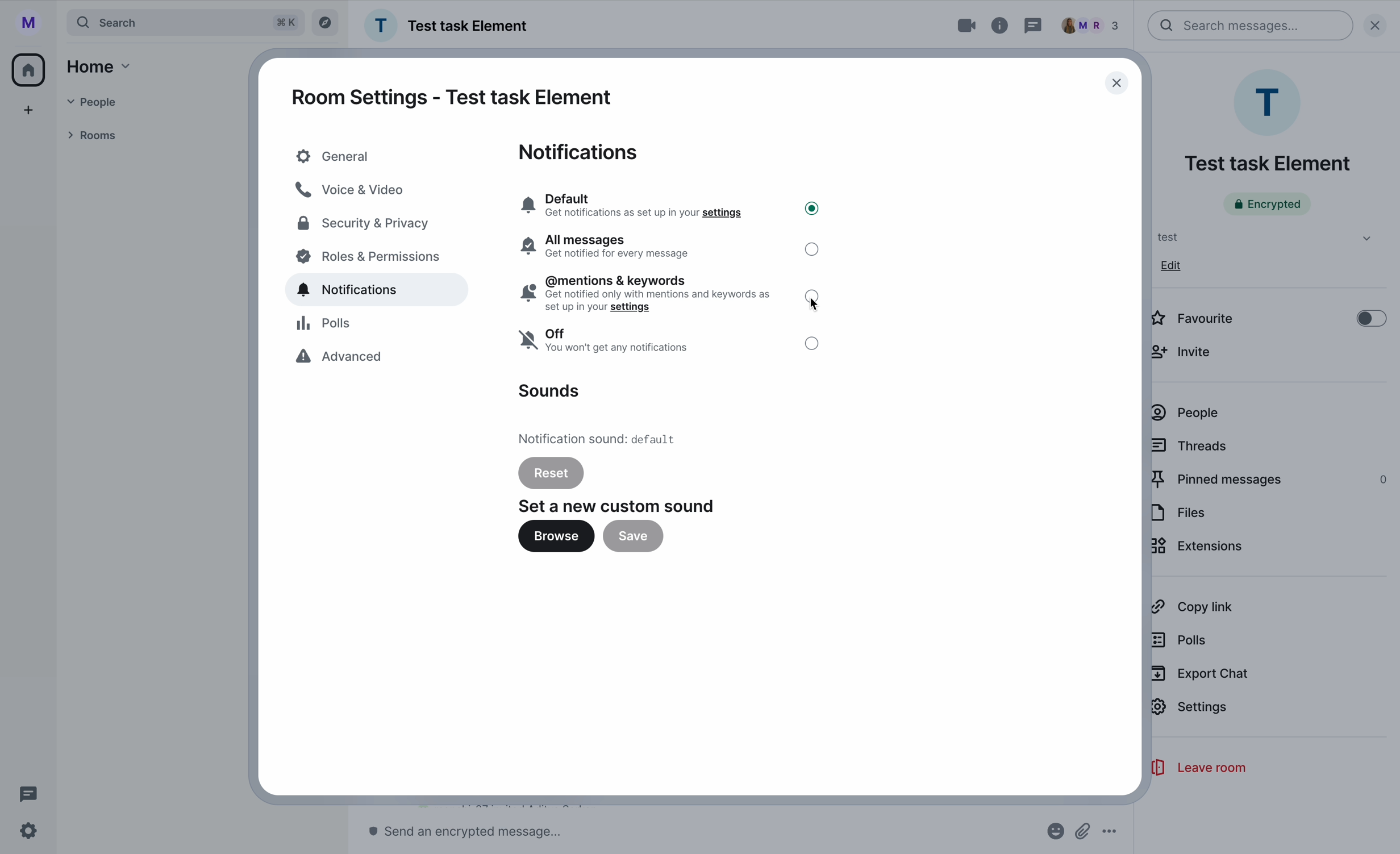 This screenshot has height=854, width=1400. Describe the element at coordinates (1267, 164) in the screenshot. I see `name room` at that location.